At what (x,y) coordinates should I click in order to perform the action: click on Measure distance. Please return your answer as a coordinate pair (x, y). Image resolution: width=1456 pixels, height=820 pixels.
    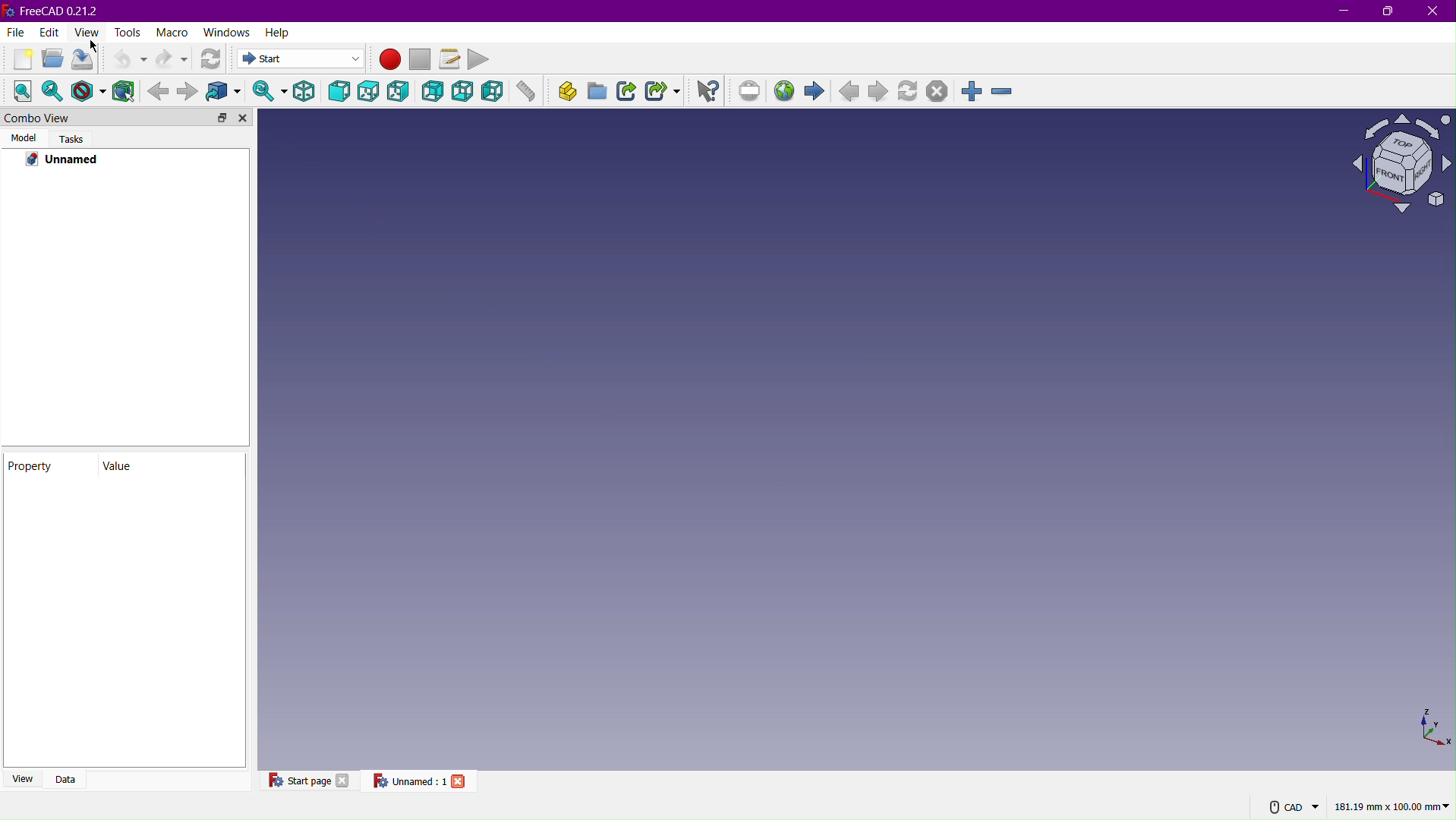
    Looking at the image, I should click on (527, 91).